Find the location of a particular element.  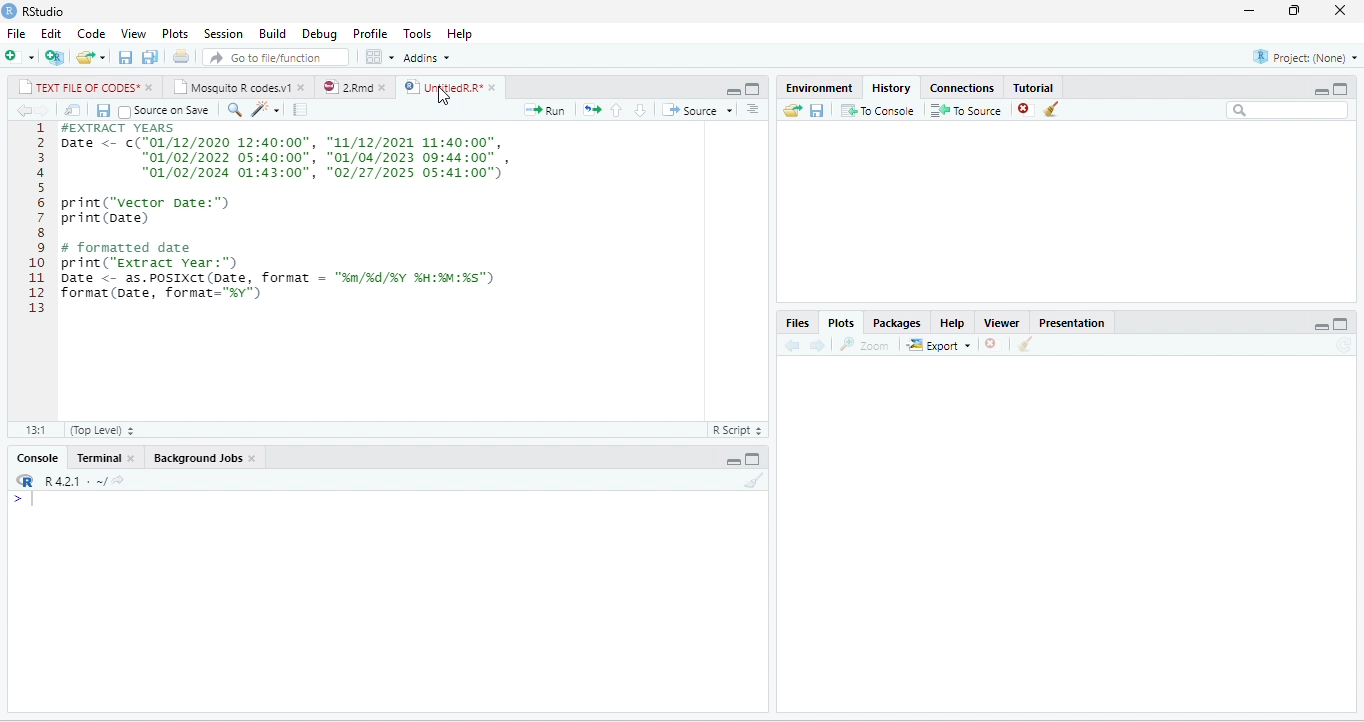

Mosquito R codes.v1 is located at coordinates (232, 87).